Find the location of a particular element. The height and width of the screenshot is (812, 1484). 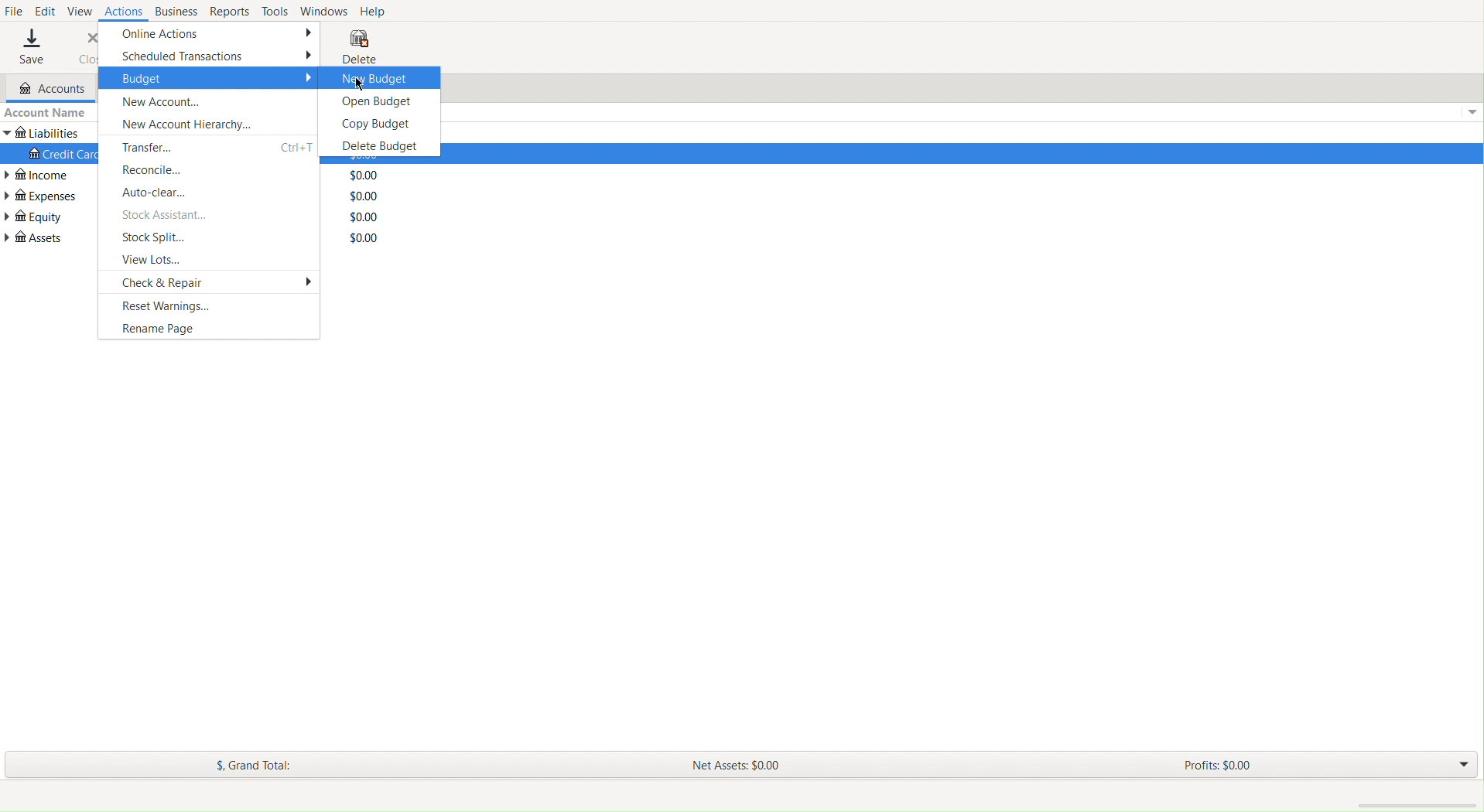

Reports is located at coordinates (227, 11).